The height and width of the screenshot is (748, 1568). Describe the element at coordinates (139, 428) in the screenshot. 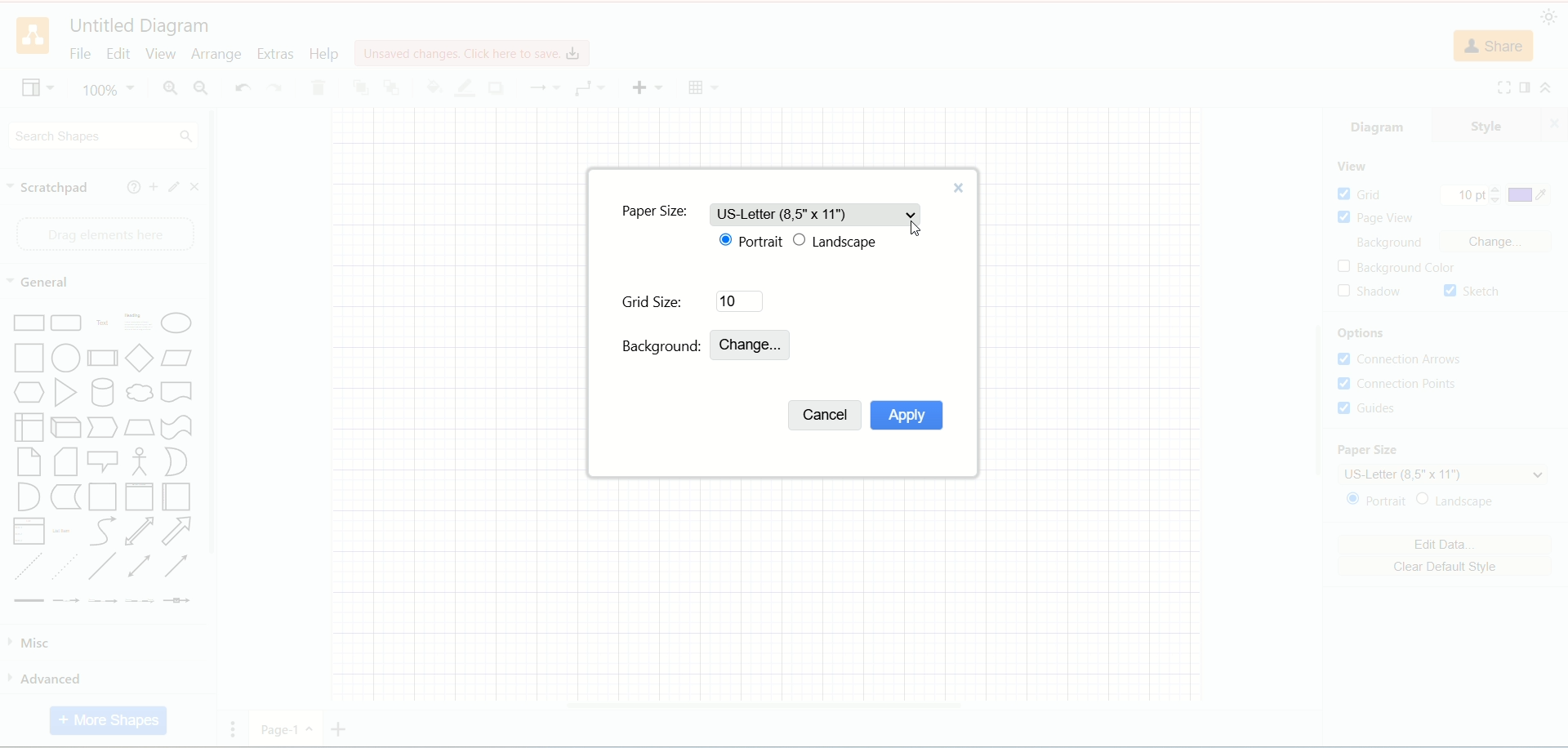

I see `Trapezoid` at that location.